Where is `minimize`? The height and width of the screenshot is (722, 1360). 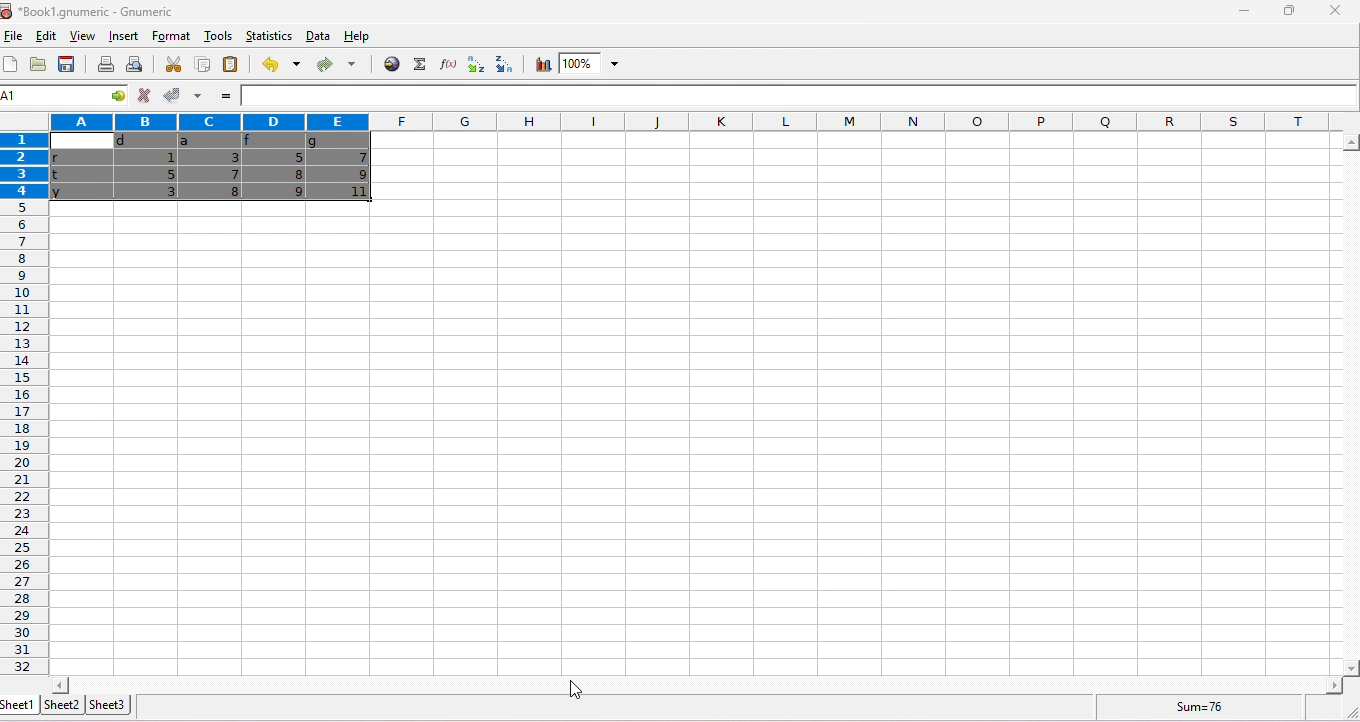
minimize is located at coordinates (1241, 14).